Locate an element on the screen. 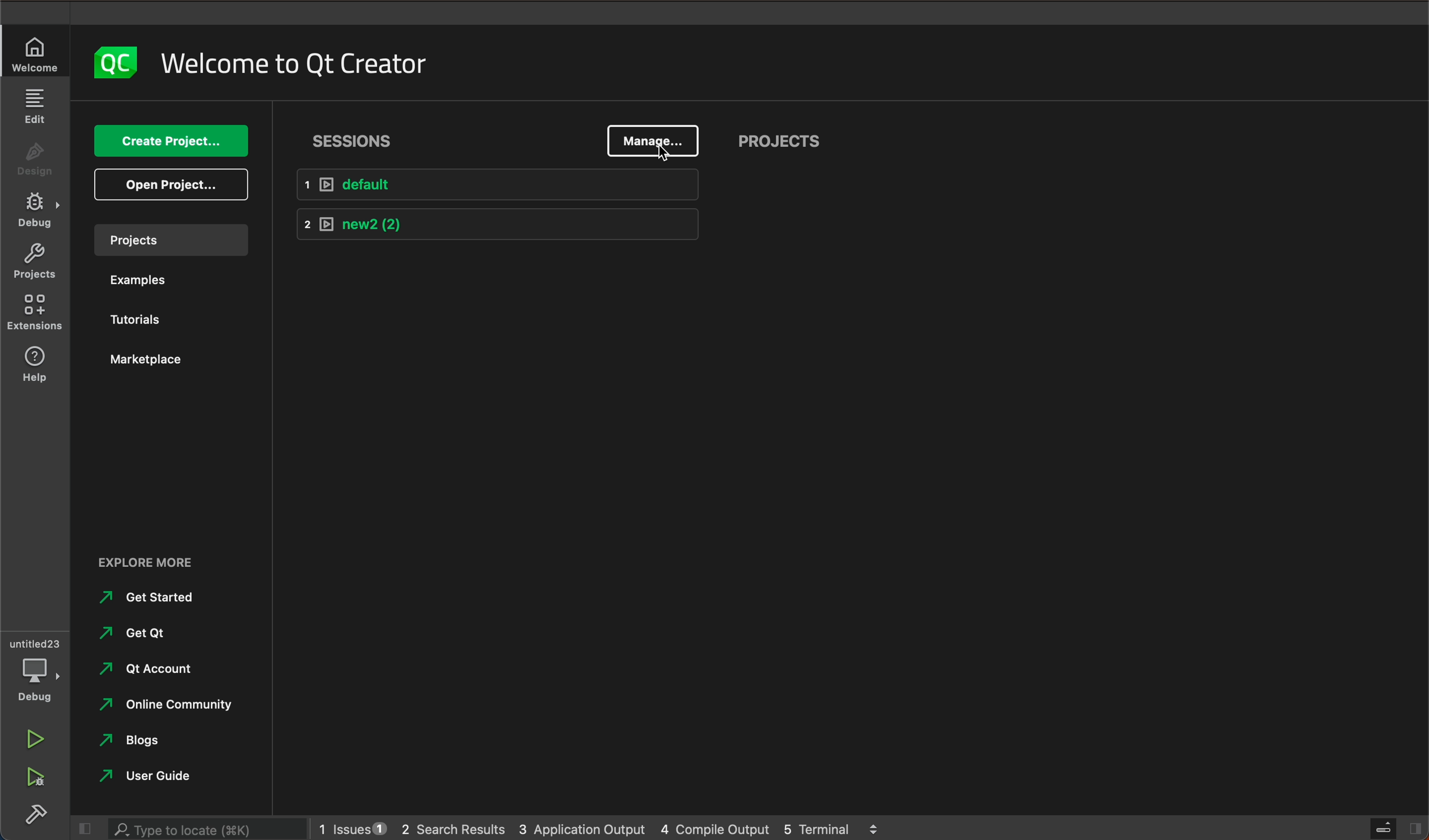 The image size is (1429, 840). debug is located at coordinates (37, 669).